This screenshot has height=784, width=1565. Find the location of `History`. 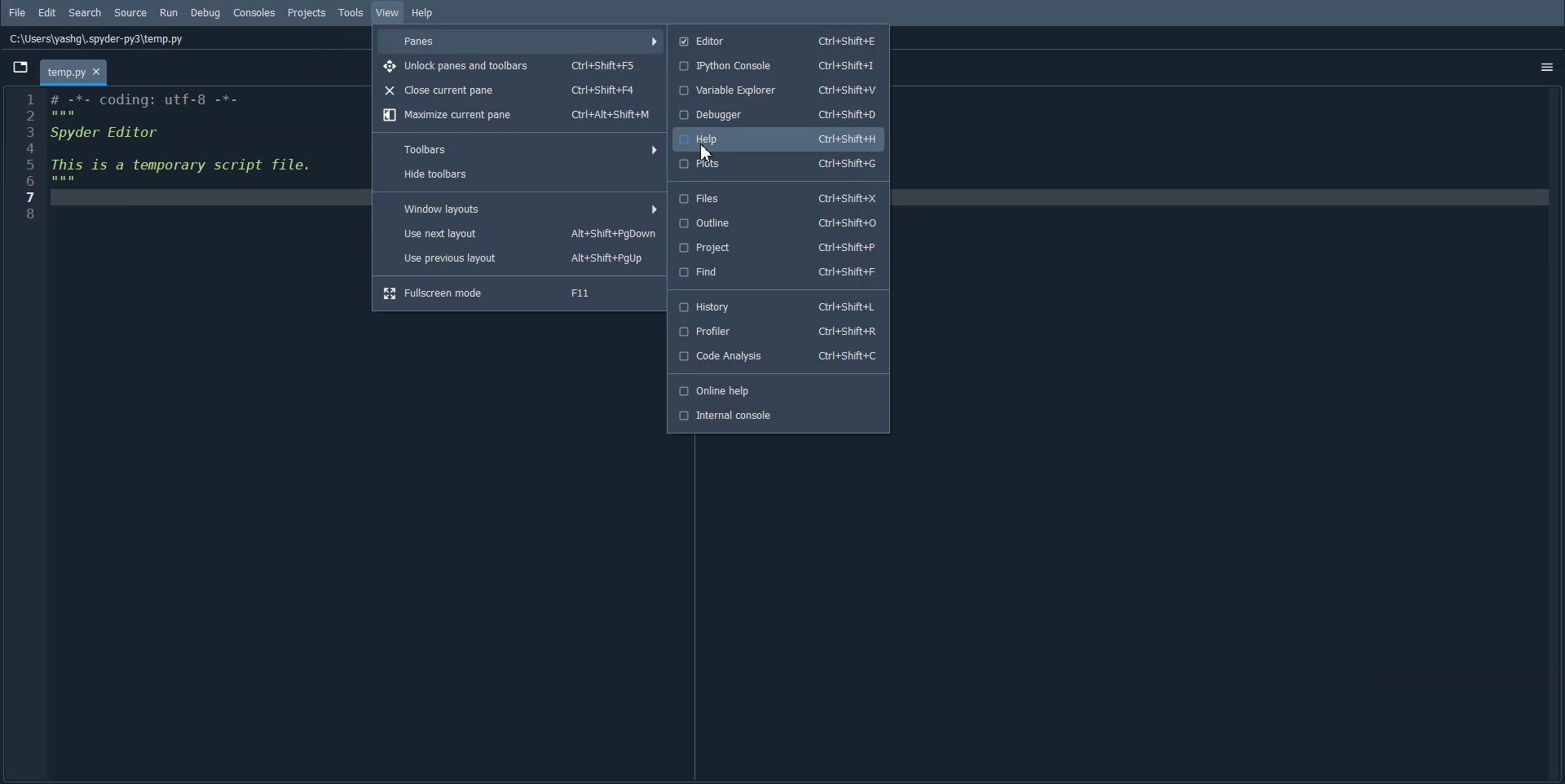

History is located at coordinates (780, 306).